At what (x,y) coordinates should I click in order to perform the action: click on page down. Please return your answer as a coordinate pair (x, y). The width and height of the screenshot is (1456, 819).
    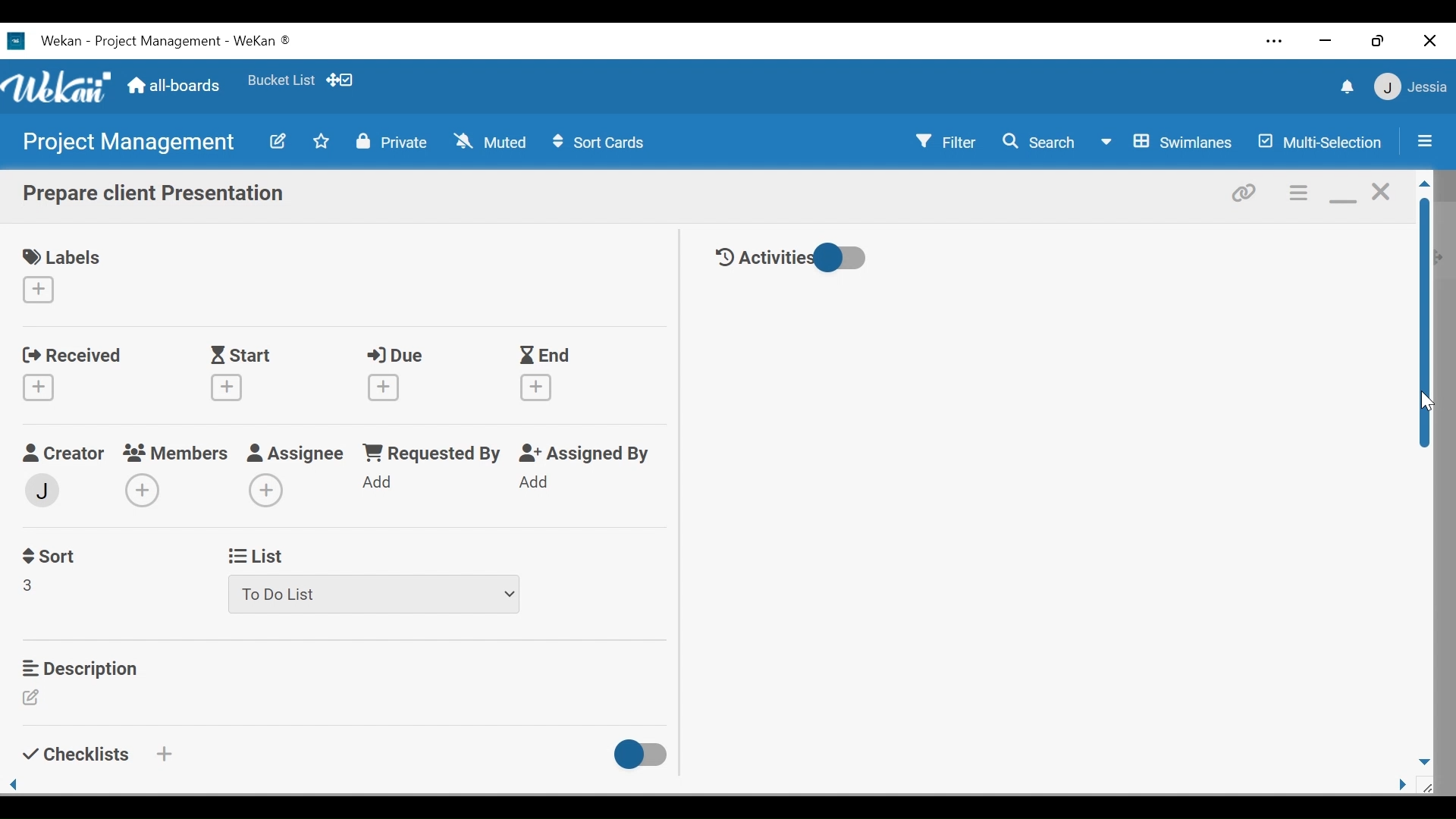
    Looking at the image, I should click on (1421, 764).